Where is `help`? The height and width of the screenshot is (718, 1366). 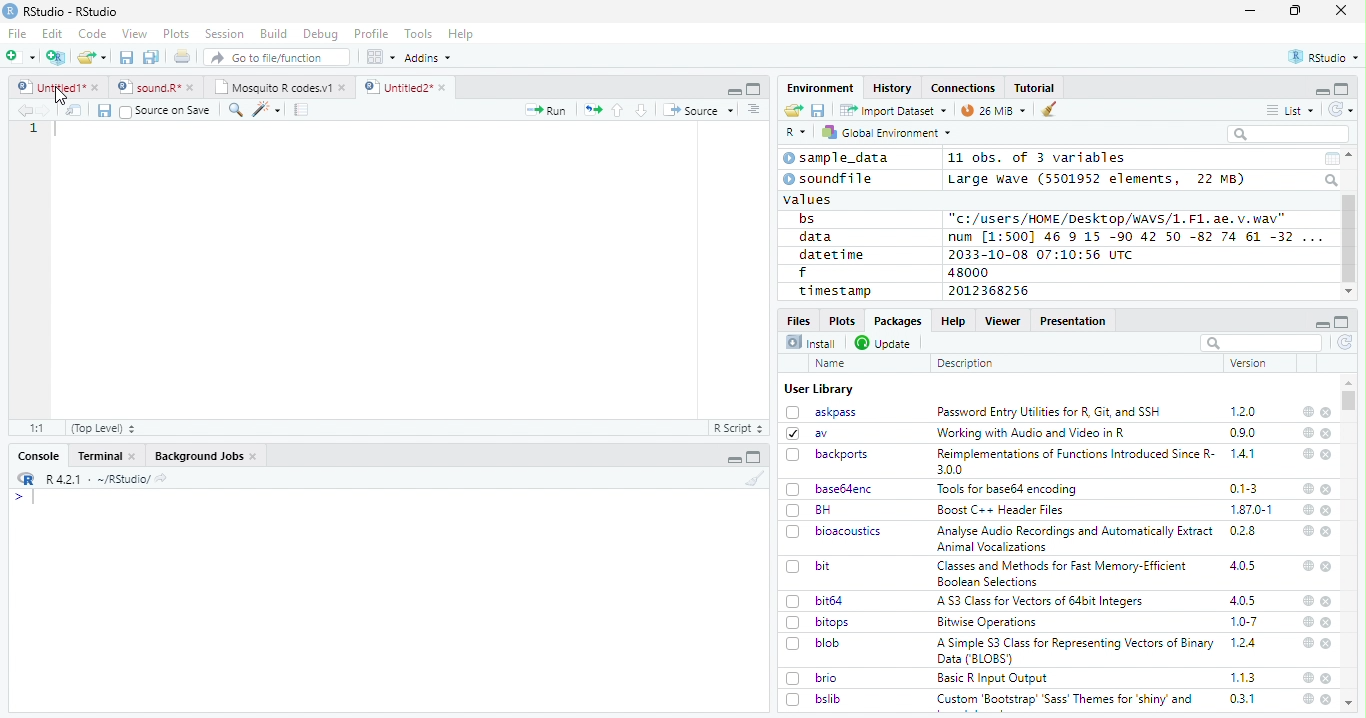 help is located at coordinates (1307, 565).